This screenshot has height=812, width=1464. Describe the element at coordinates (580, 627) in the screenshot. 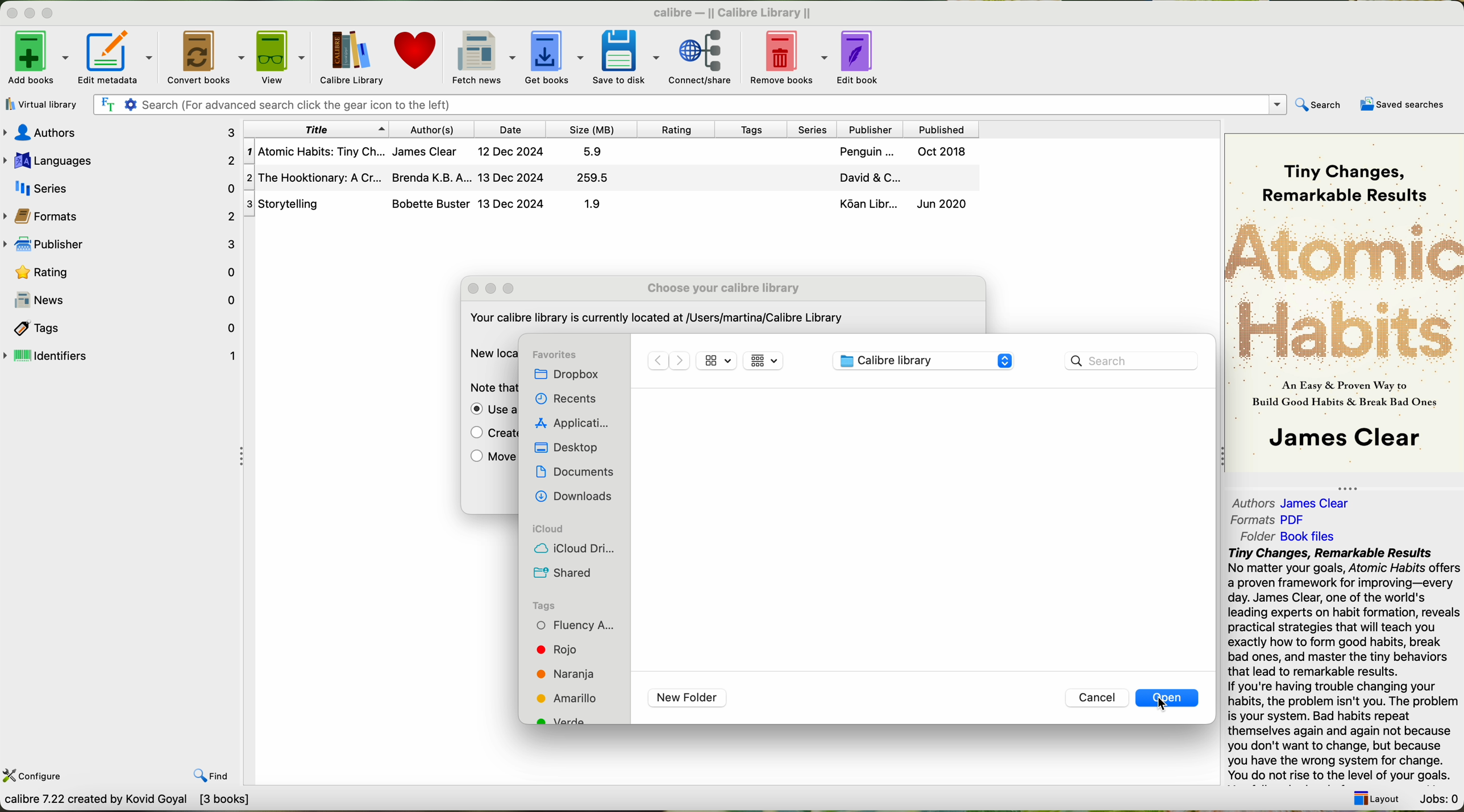

I see `fluency tag` at that location.